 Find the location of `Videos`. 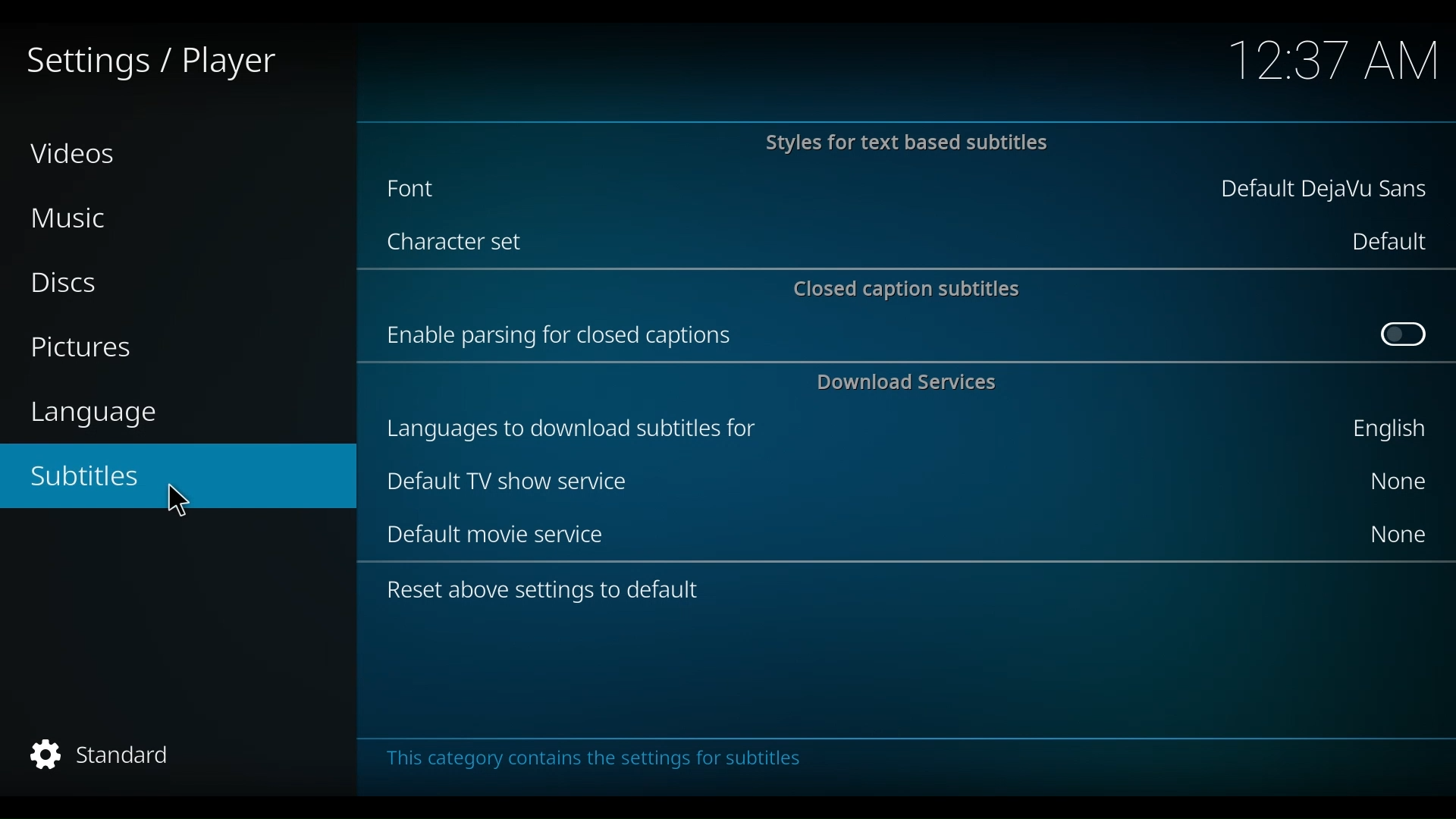

Videos is located at coordinates (75, 152).